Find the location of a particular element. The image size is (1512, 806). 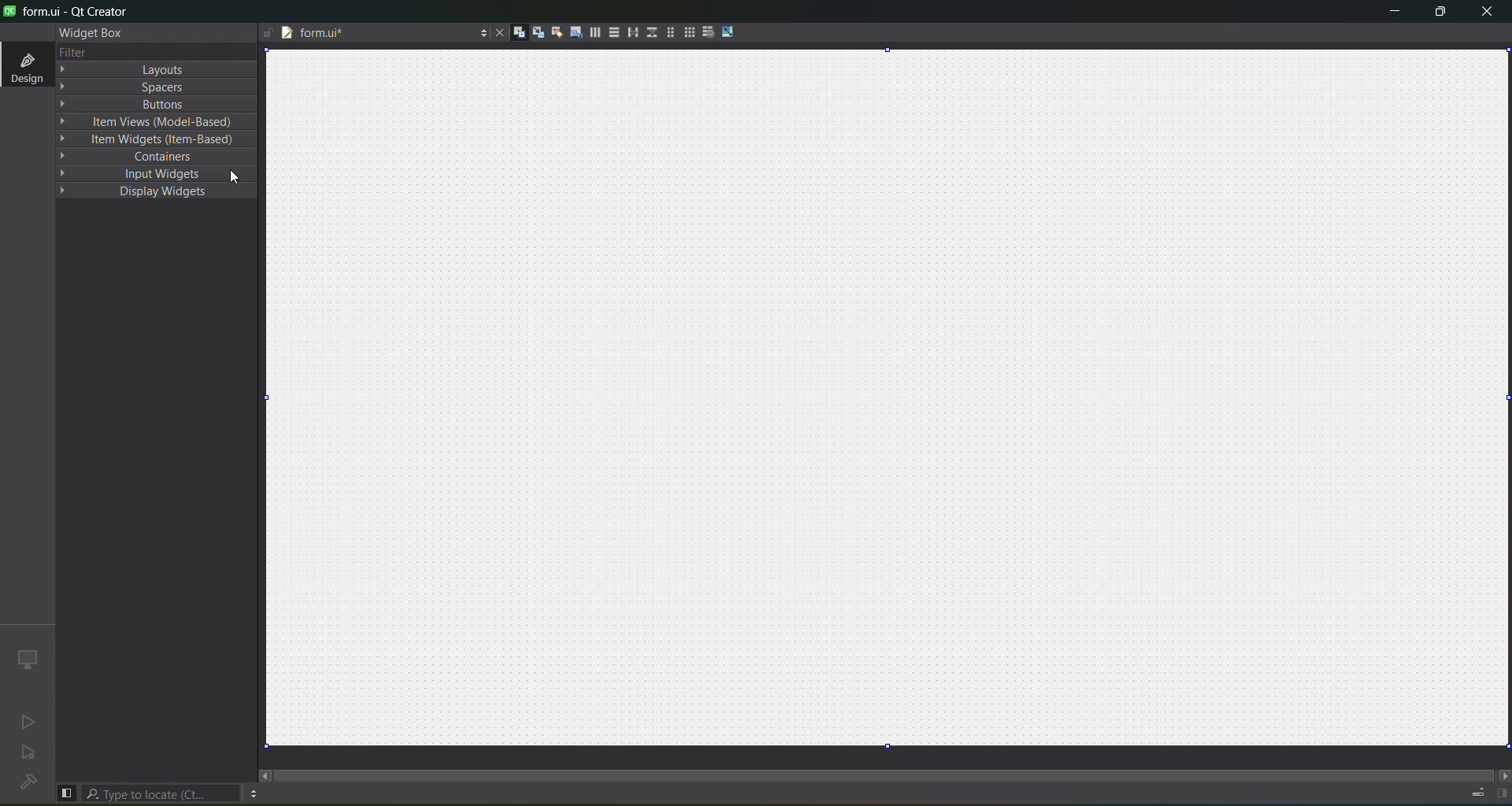

show right panel is located at coordinates (1503, 790).